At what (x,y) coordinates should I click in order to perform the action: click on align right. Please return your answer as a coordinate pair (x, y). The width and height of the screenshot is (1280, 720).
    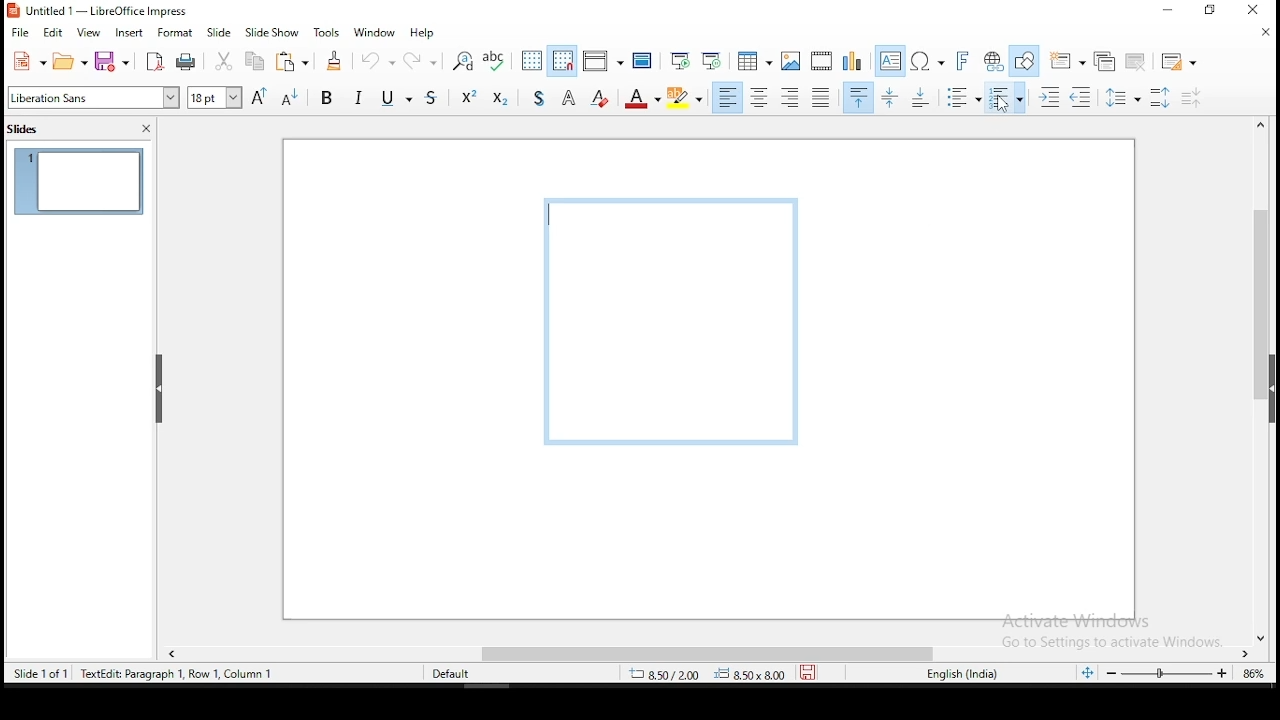
    Looking at the image, I should click on (792, 99).